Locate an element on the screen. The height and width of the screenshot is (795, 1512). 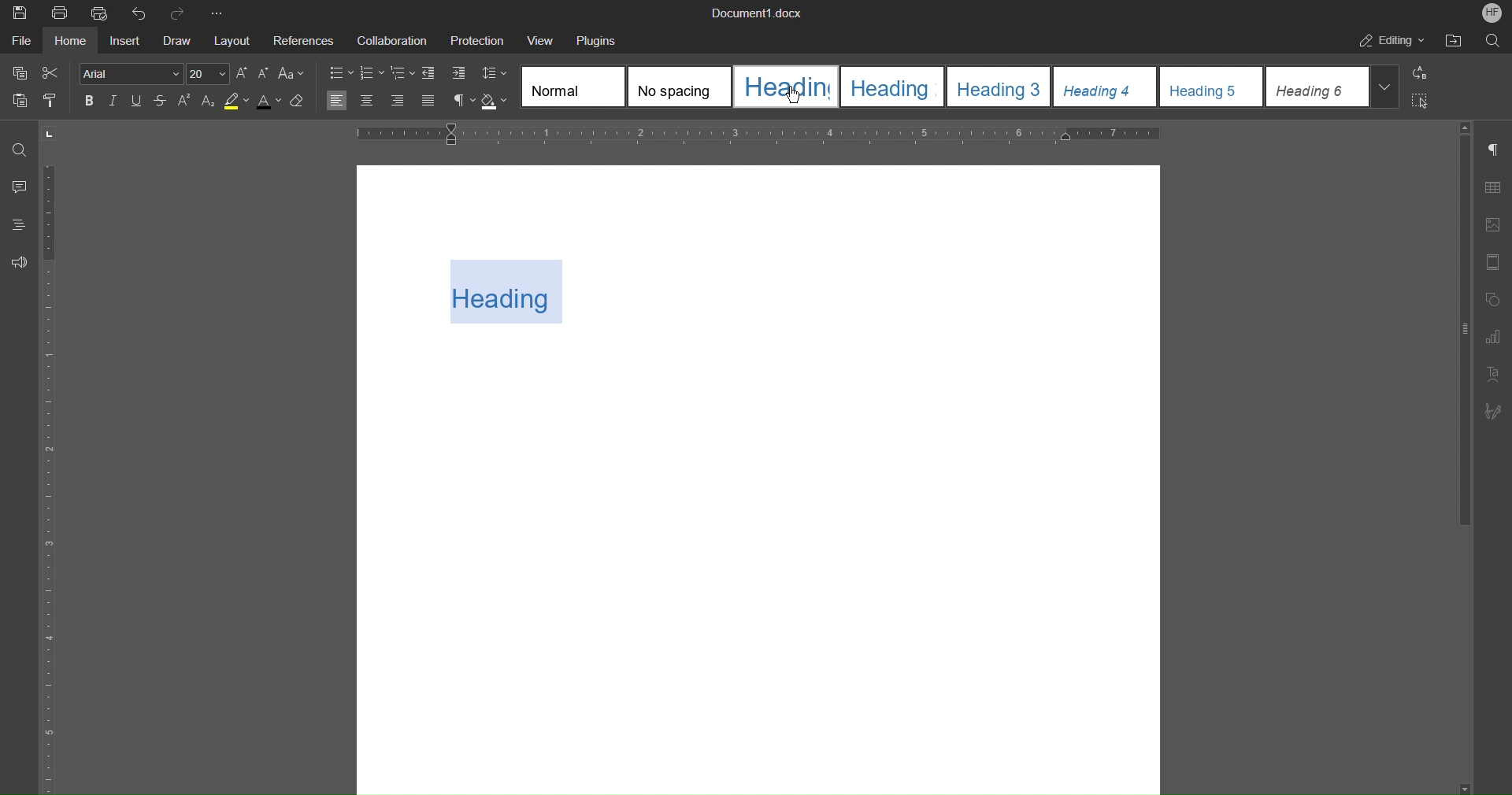
Centre Align is located at coordinates (369, 101).